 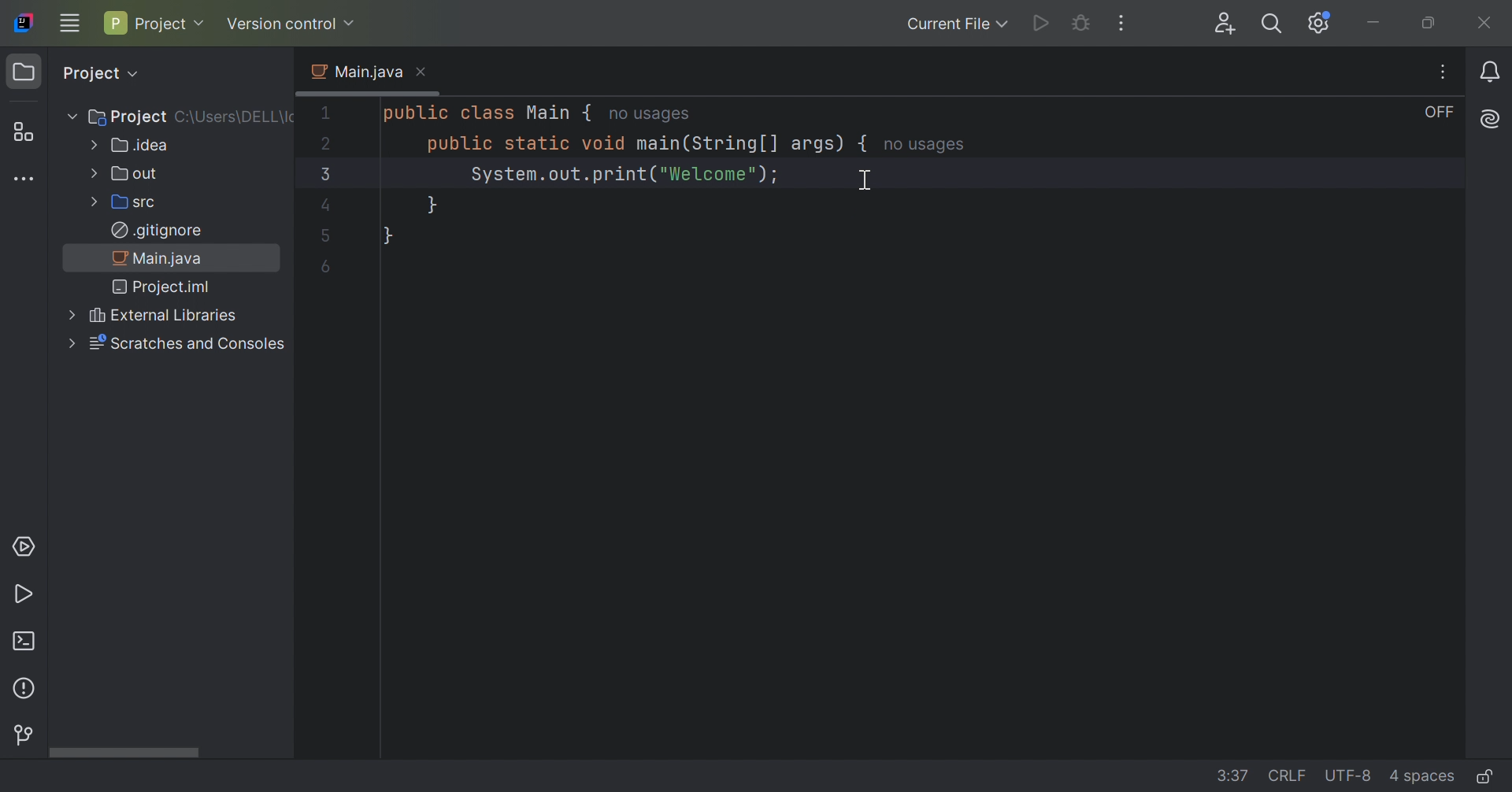 What do you see at coordinates (1492, 73) in the screenshot?
I see `Notifications` at bounding box center [1492, 73].